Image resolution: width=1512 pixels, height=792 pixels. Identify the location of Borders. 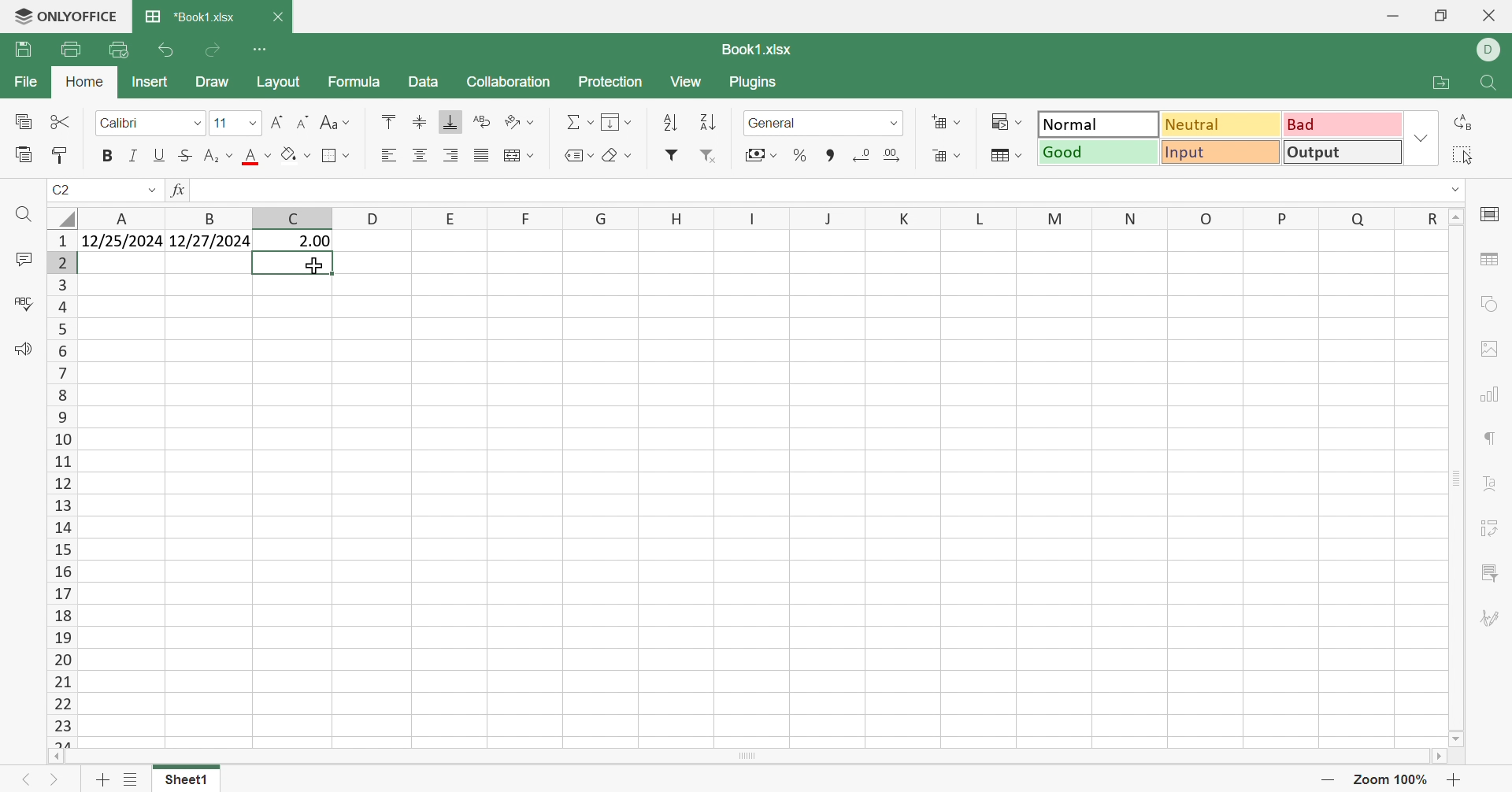
(335, 157).